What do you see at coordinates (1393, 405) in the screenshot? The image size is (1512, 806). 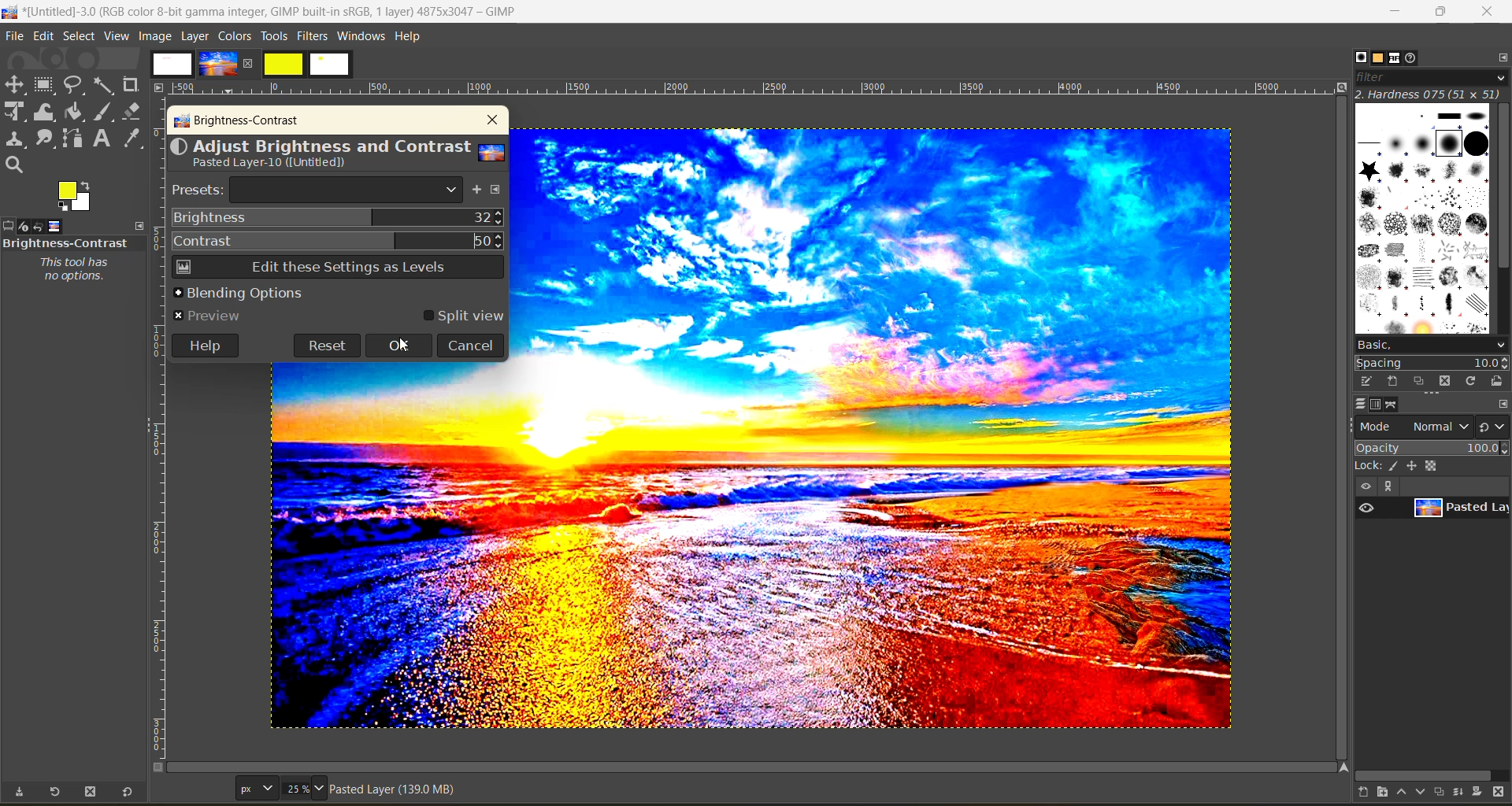 I see `paths` at bounding box center [1393, 405].